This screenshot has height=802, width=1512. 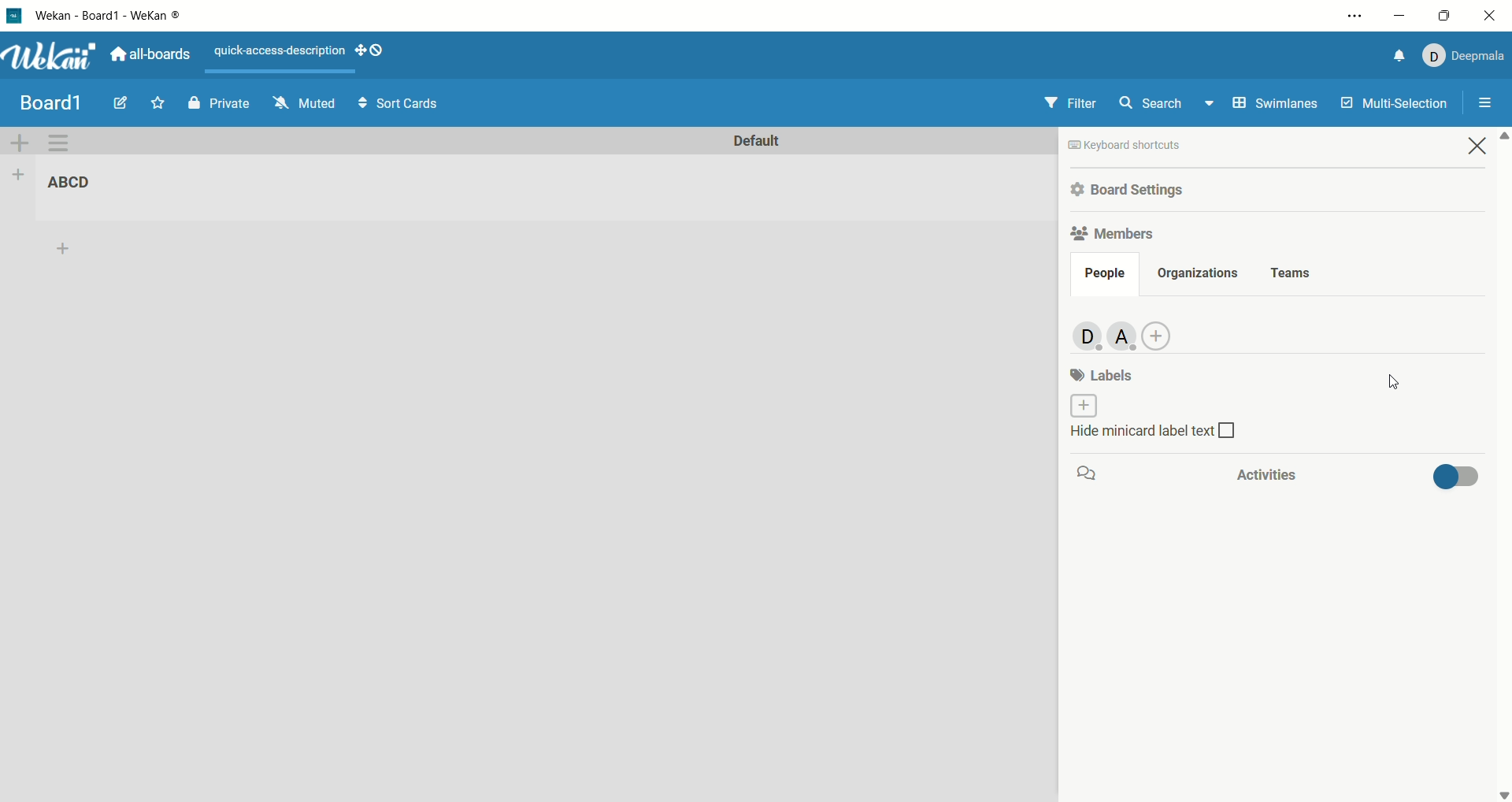 I want to click on title, so click(x=111, y=15).